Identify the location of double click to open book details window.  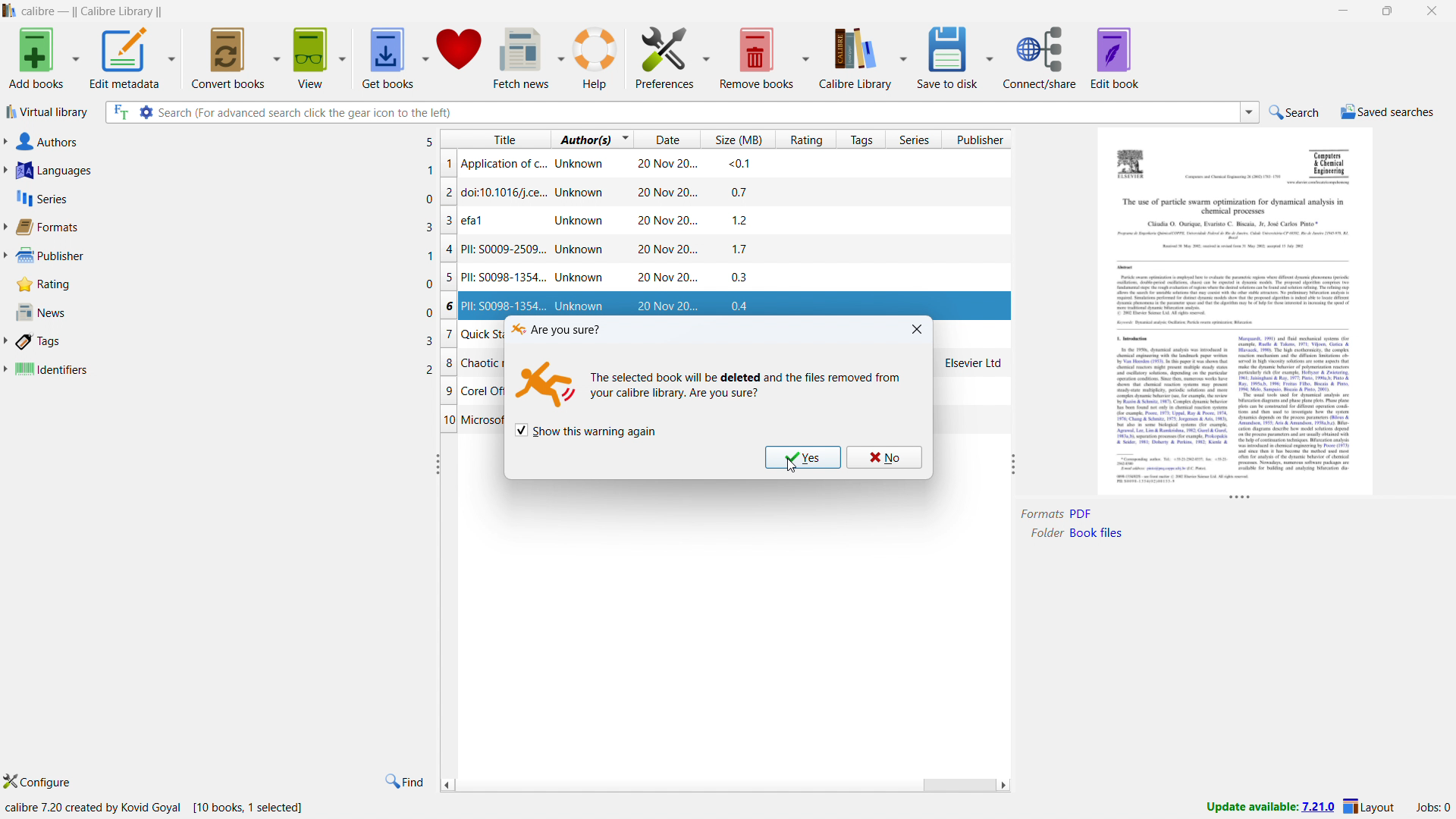
(1235, 310).